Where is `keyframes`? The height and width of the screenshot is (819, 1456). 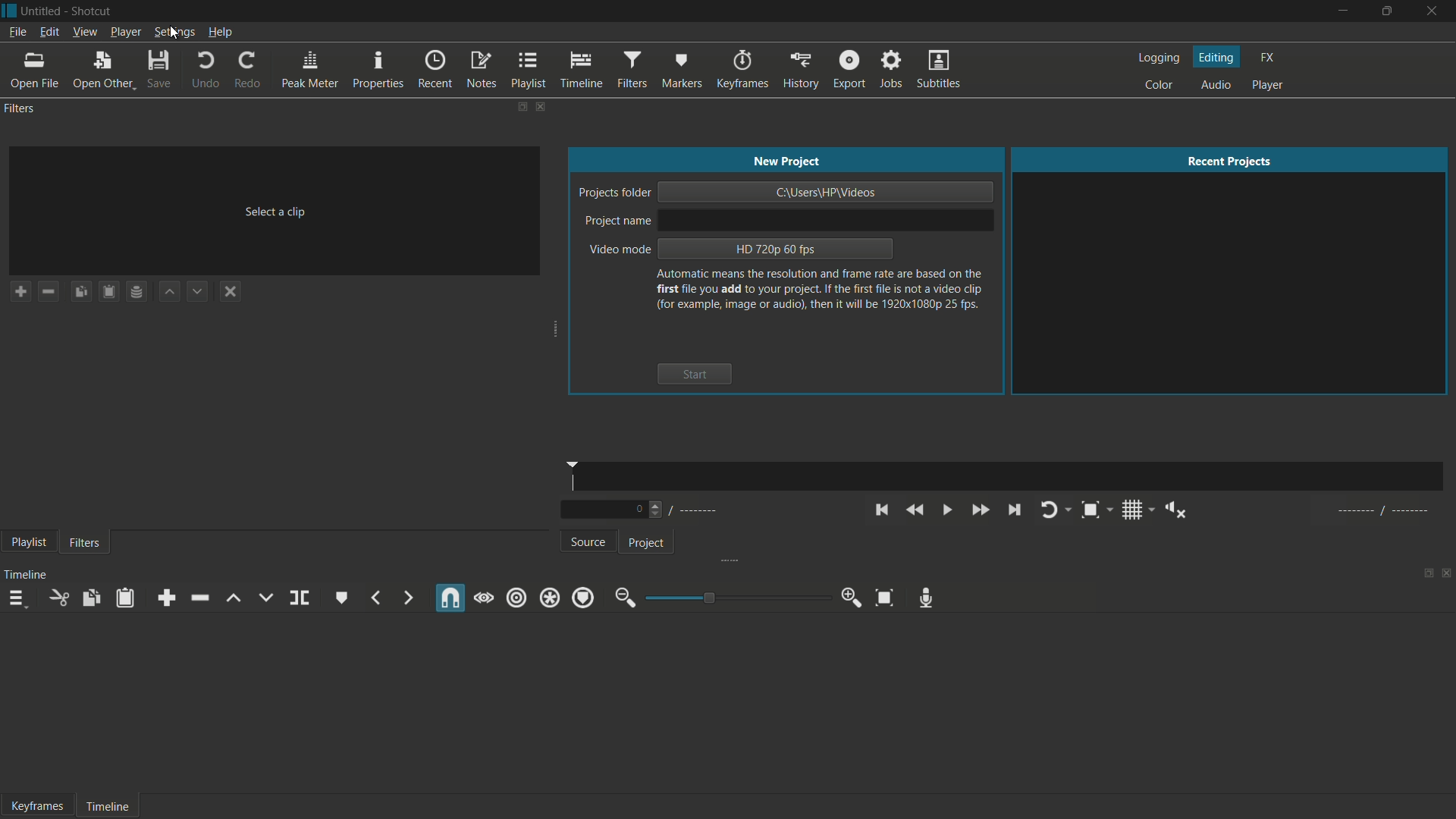 keyframes is located at coordinates (741, 70).